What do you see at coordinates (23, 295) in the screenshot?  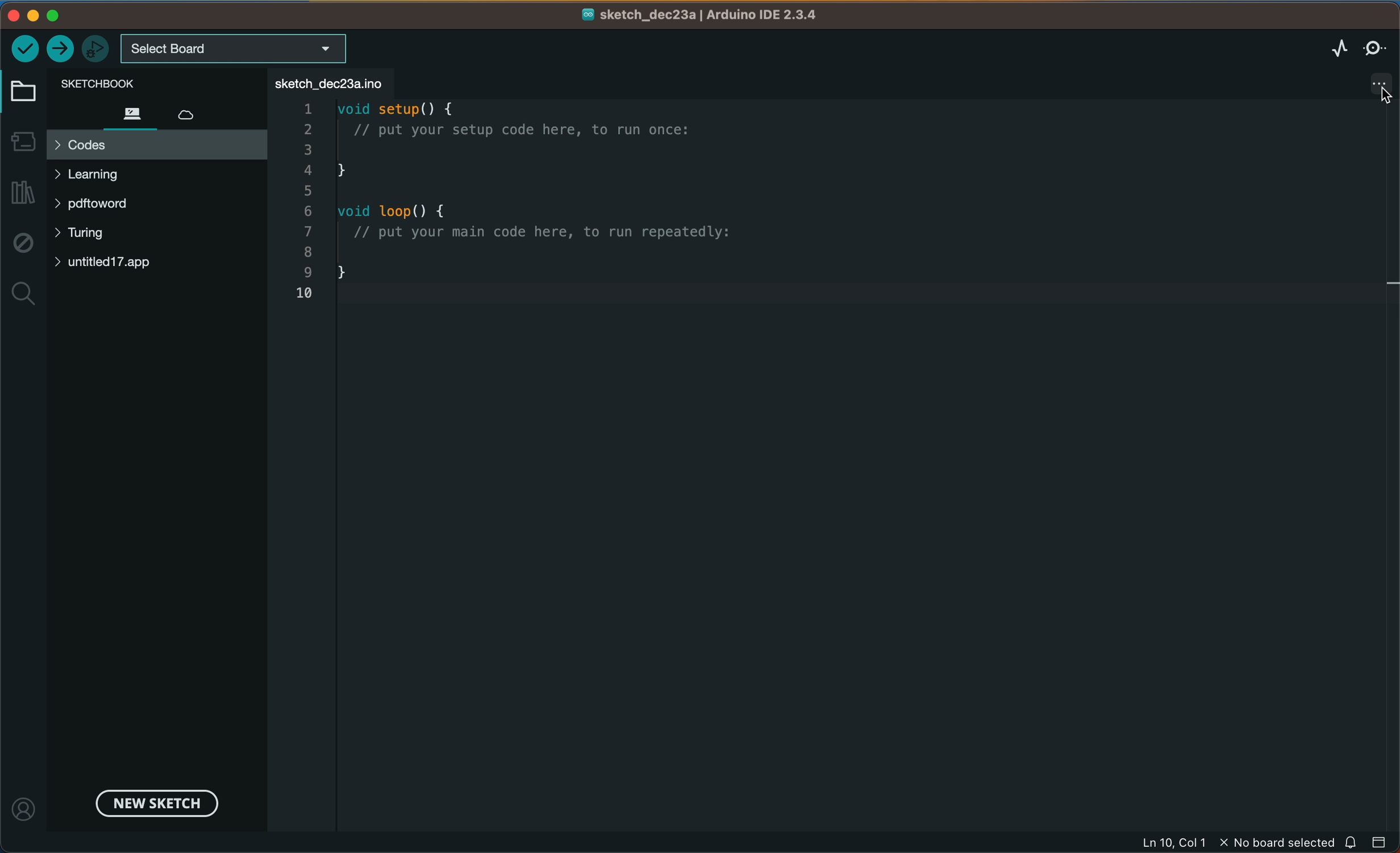 I see `search` at bounding box center [23, 295].